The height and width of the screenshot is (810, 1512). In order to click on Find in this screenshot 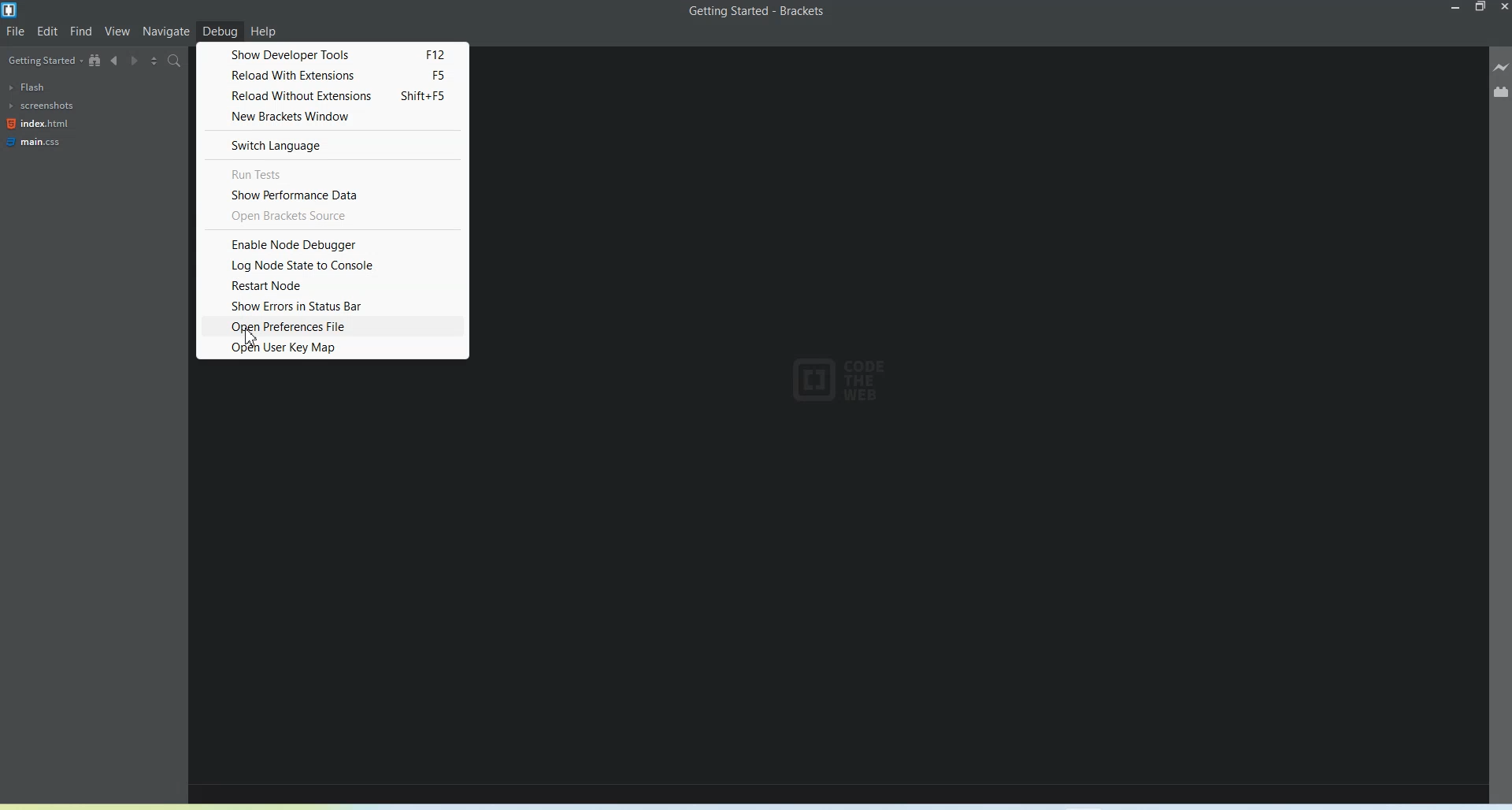, I will do `click(82, 32)`.